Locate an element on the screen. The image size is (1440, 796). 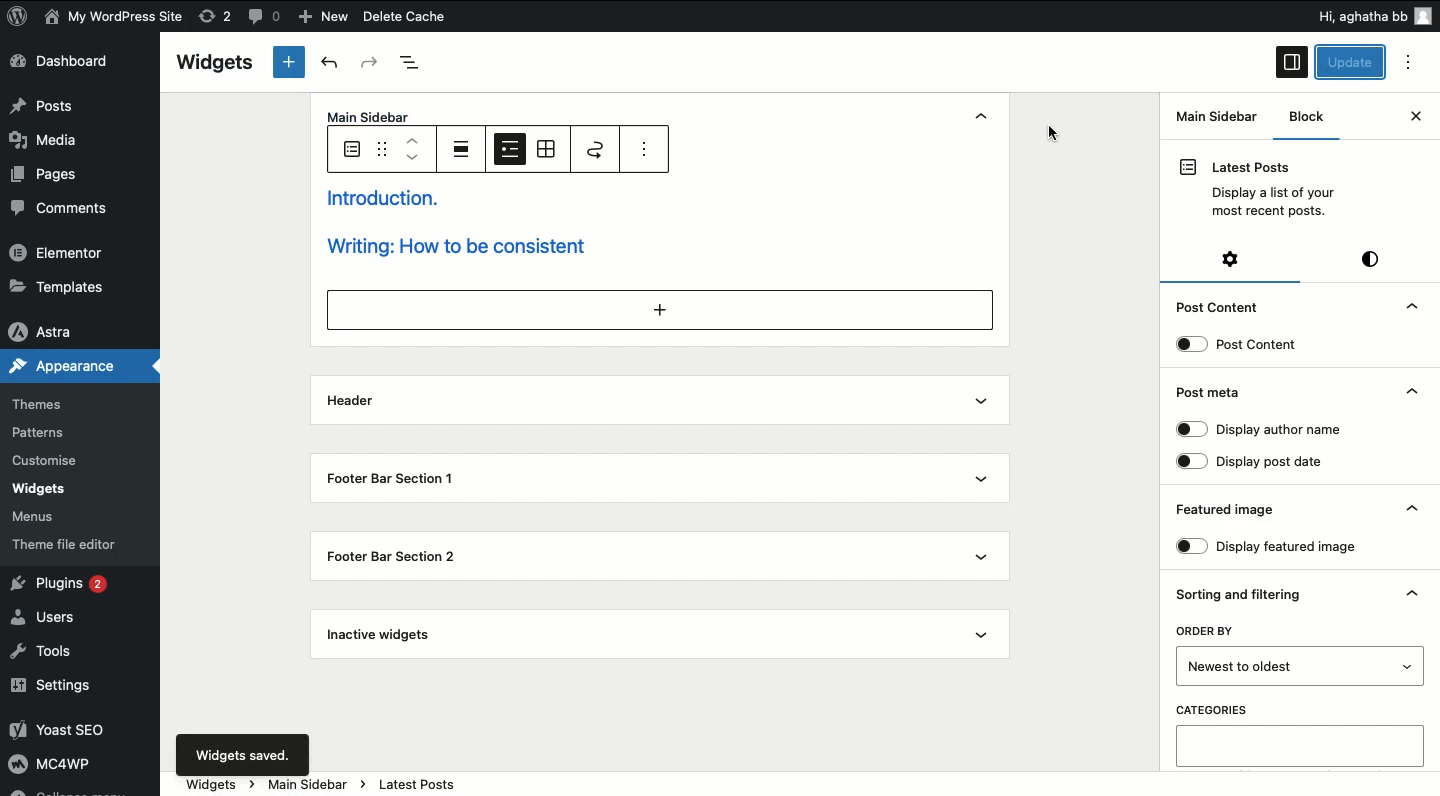
Settings is located at coordinates (58, 691).